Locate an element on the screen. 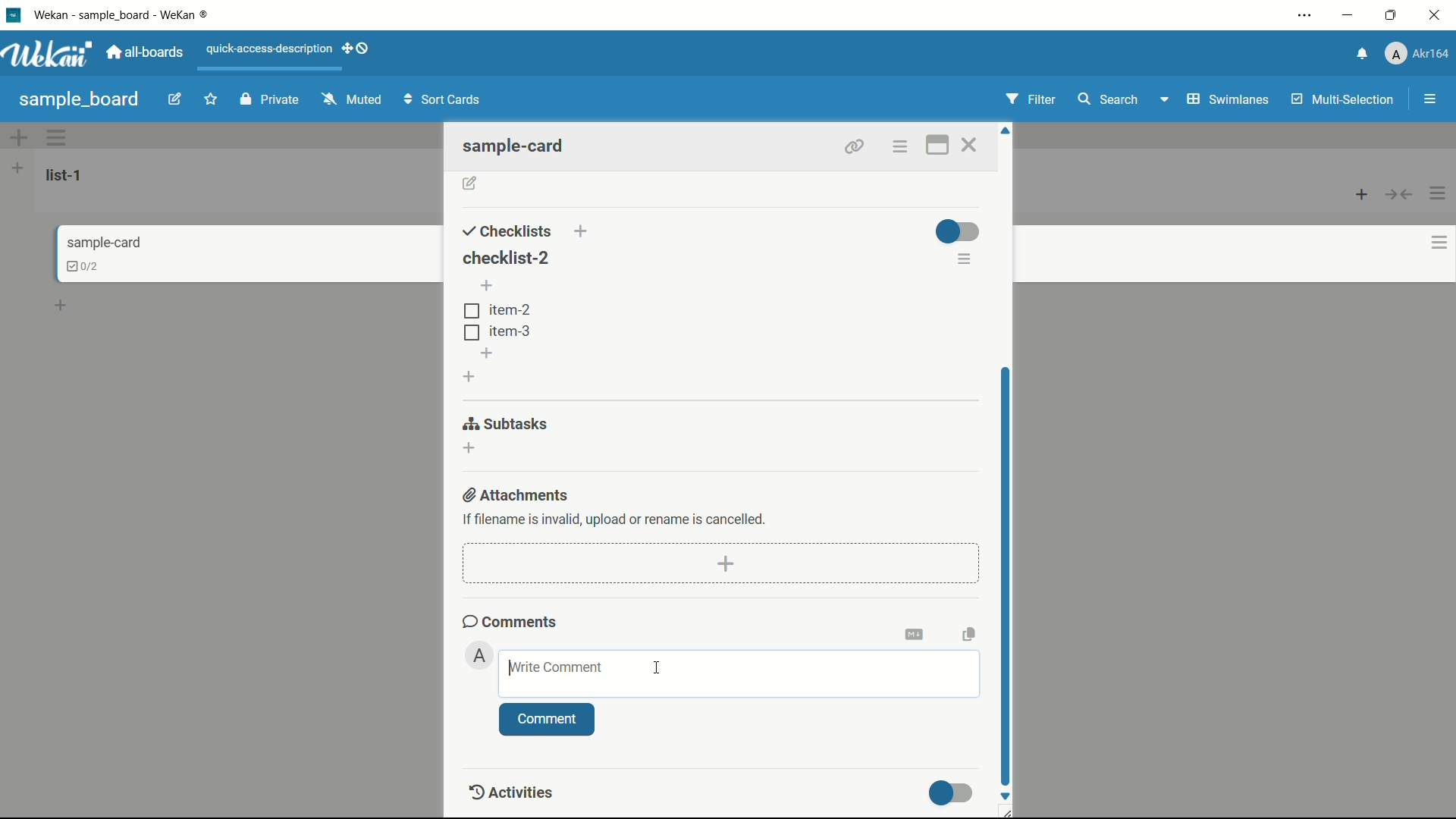 The height and width of the screenshot is (819, 1456). add item is located at coordinates (488, 287).